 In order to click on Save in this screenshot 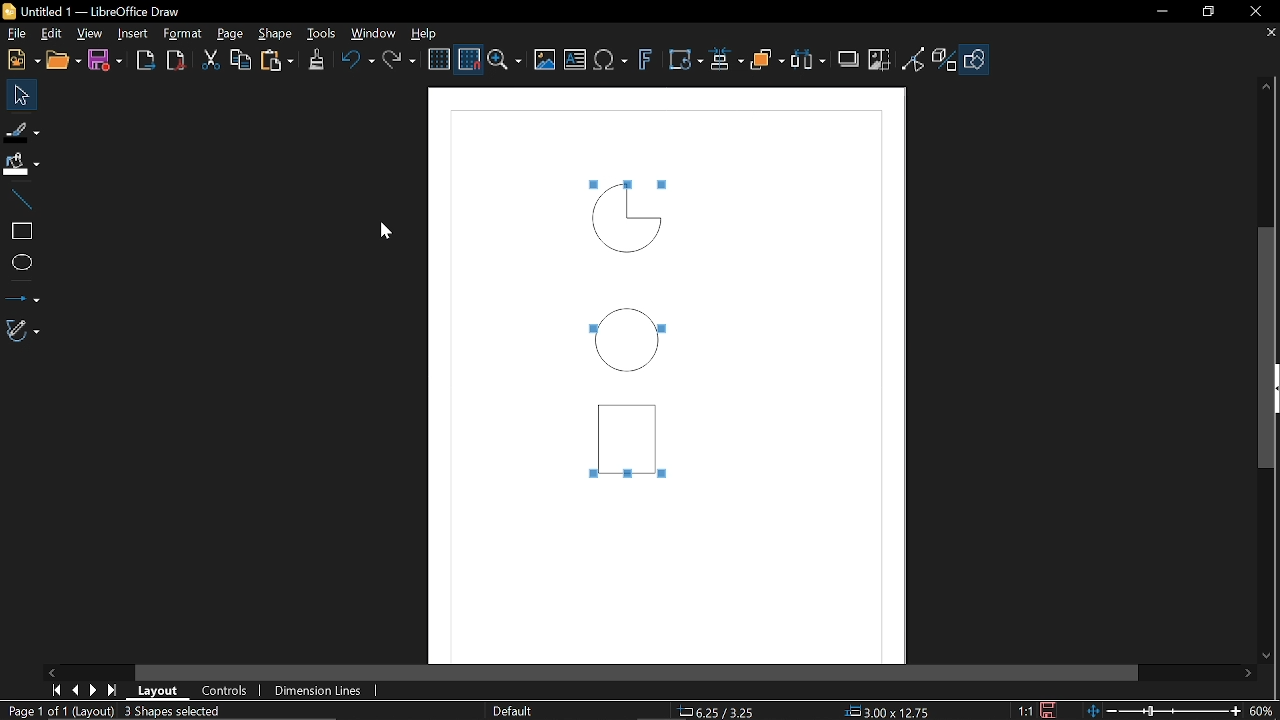, I will do `click(104, 61)`.